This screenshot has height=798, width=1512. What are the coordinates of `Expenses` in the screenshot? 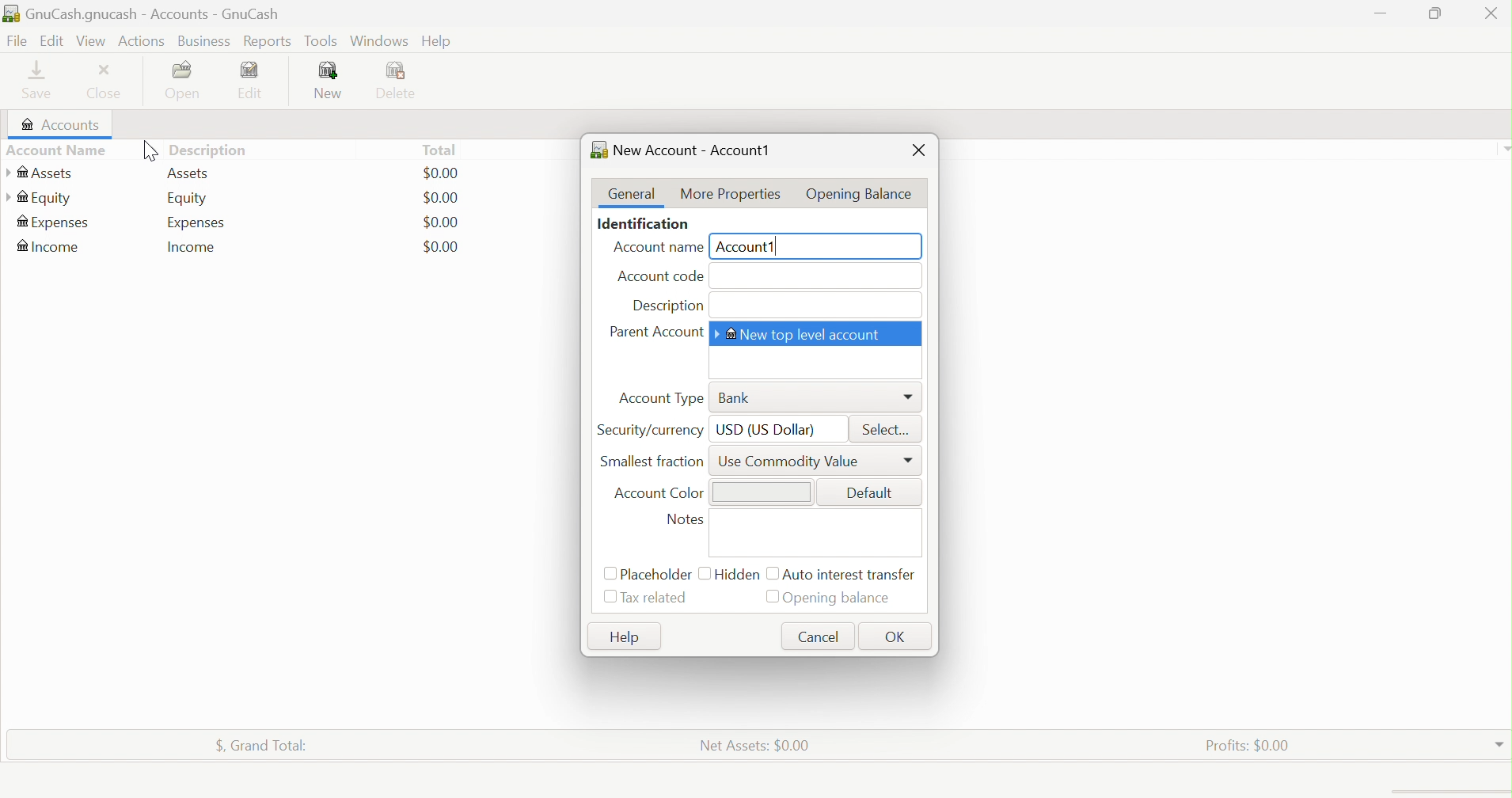 It's located at (54, 224).